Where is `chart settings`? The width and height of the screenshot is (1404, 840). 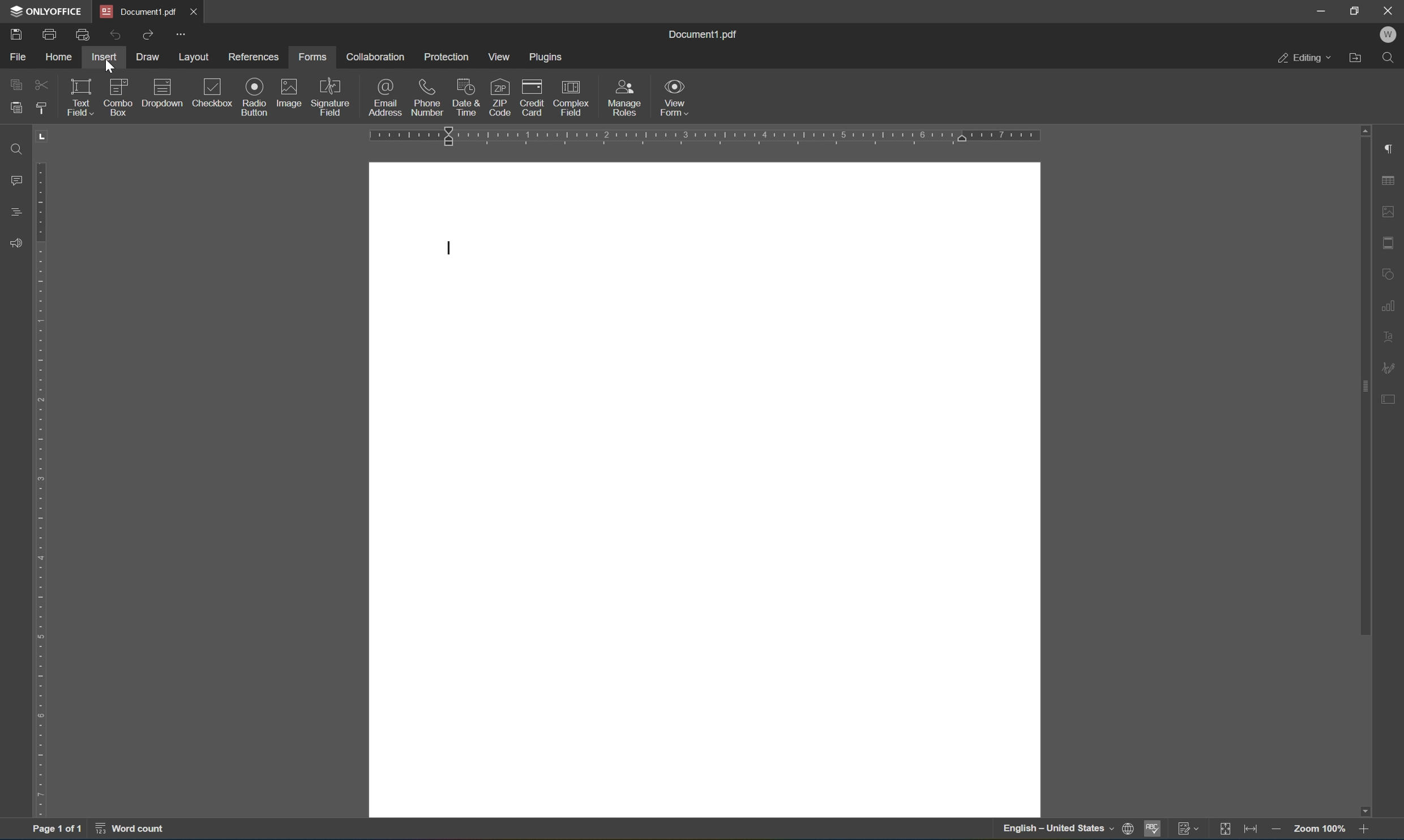
chart settings is located at coordinates (1389, 303).